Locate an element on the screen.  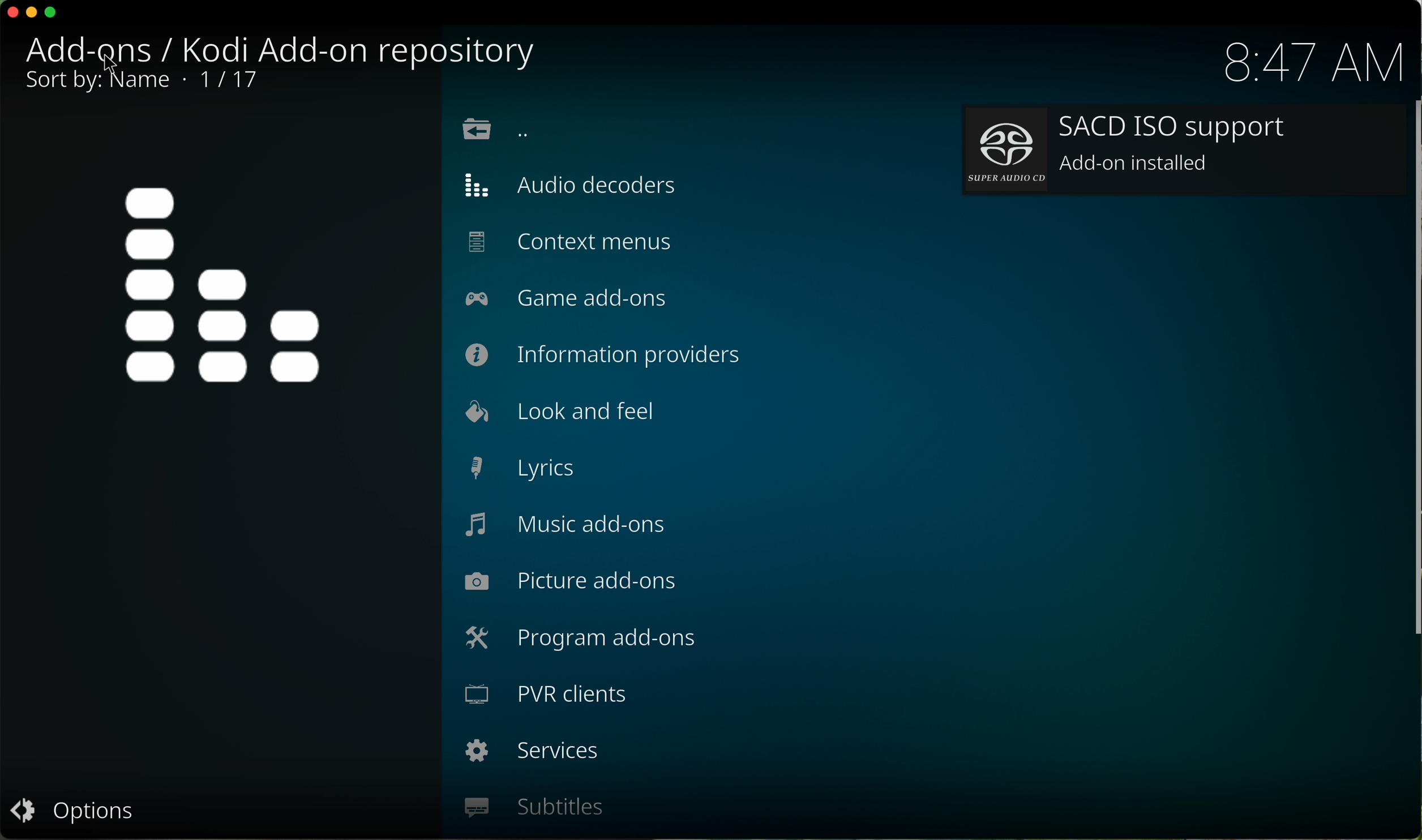
services is located at coordinates (533, 754).